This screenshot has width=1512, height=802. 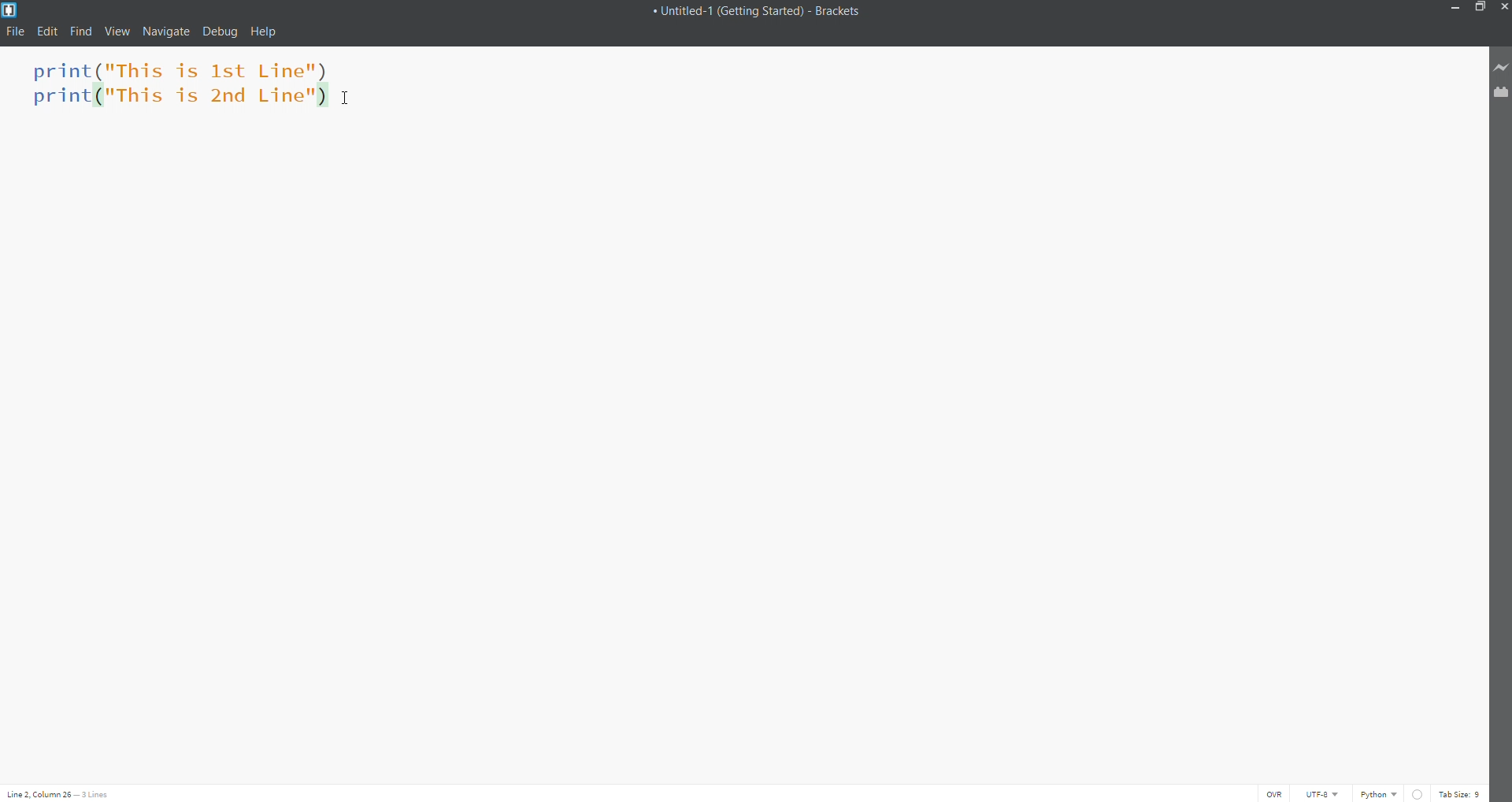 What do you see at coordinates (1454, 8) in the screenshot?
I see `Minimize` at bounding box center [1454, 8].